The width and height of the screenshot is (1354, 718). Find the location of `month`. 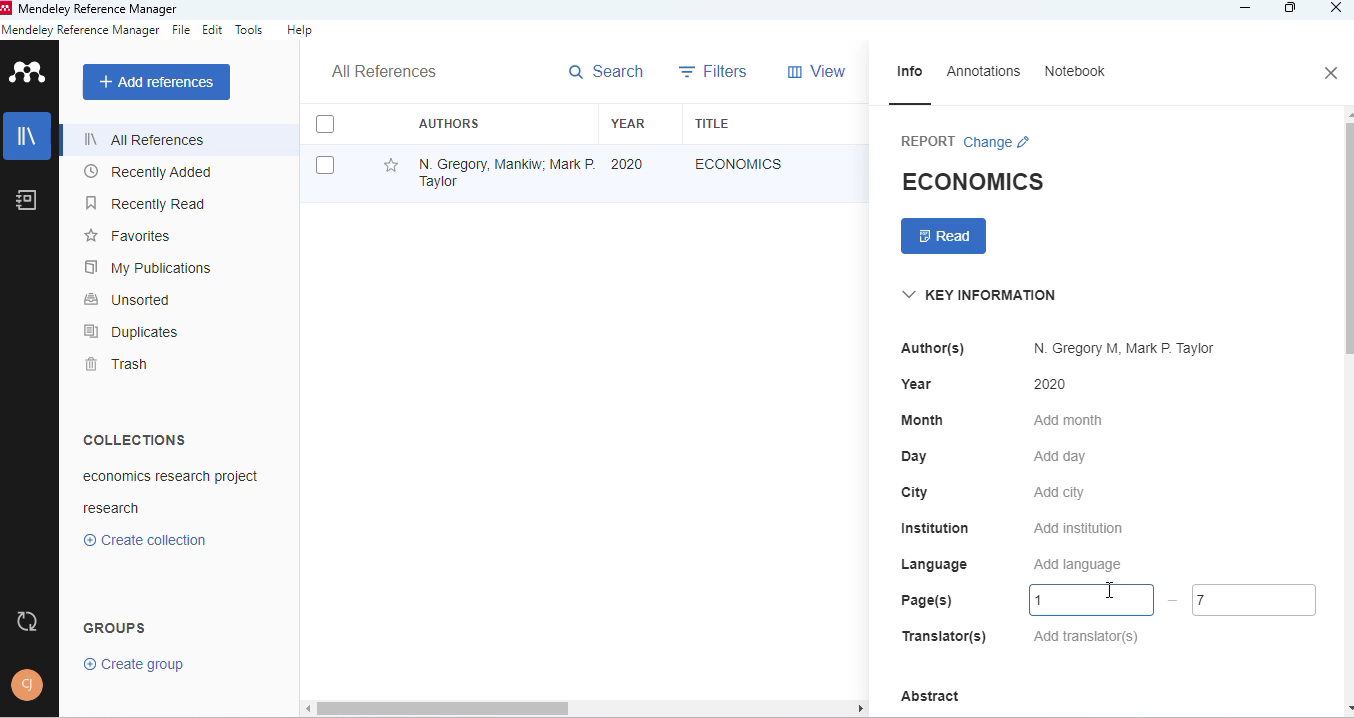

month is located at coordinates (922, 420).